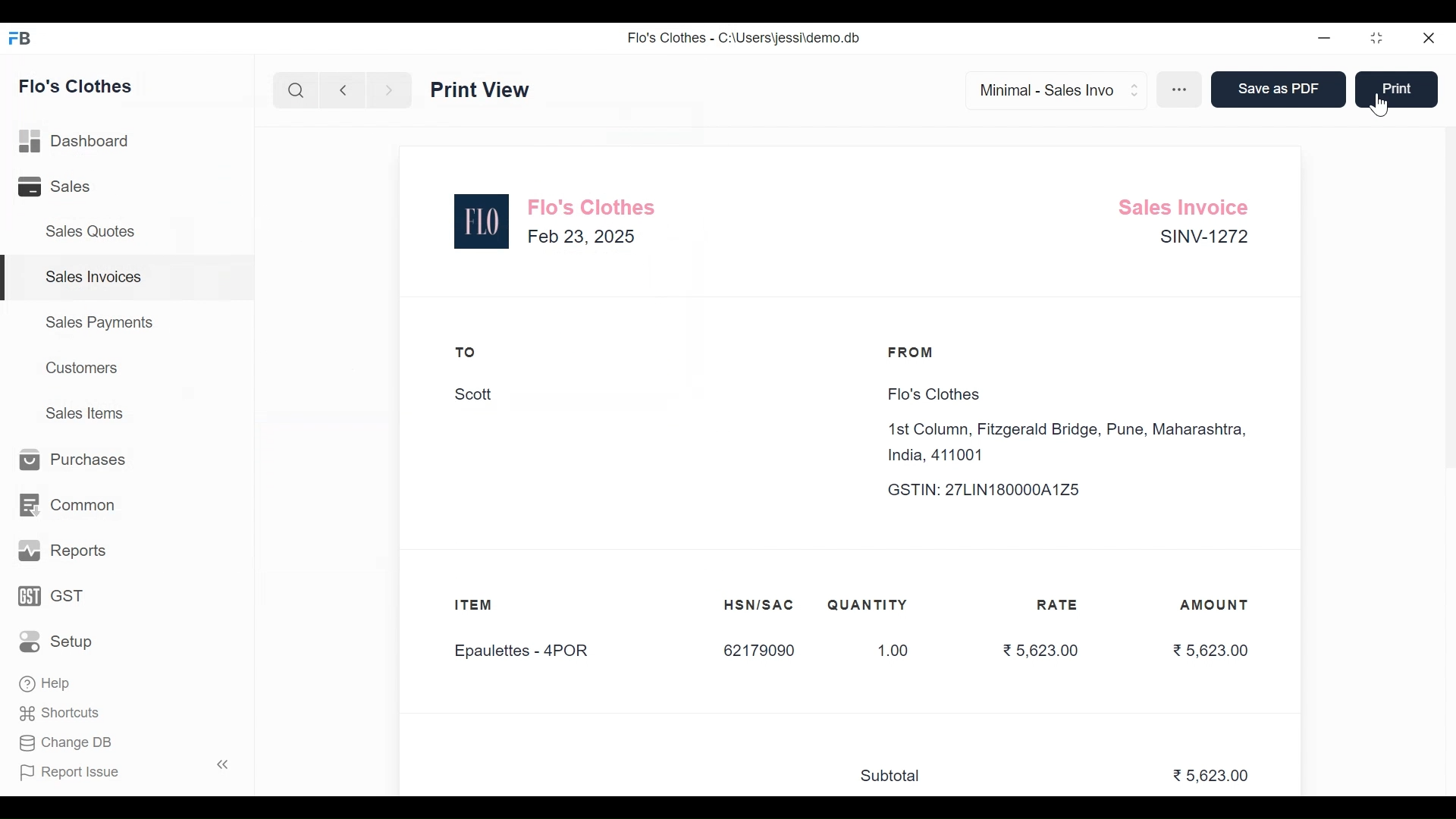 Image resolution: width=1456 pixels, height=819 pixels. Describe the element at coordinates (1216, 606) in the screenshot. I see `AMOUNT` at that location.